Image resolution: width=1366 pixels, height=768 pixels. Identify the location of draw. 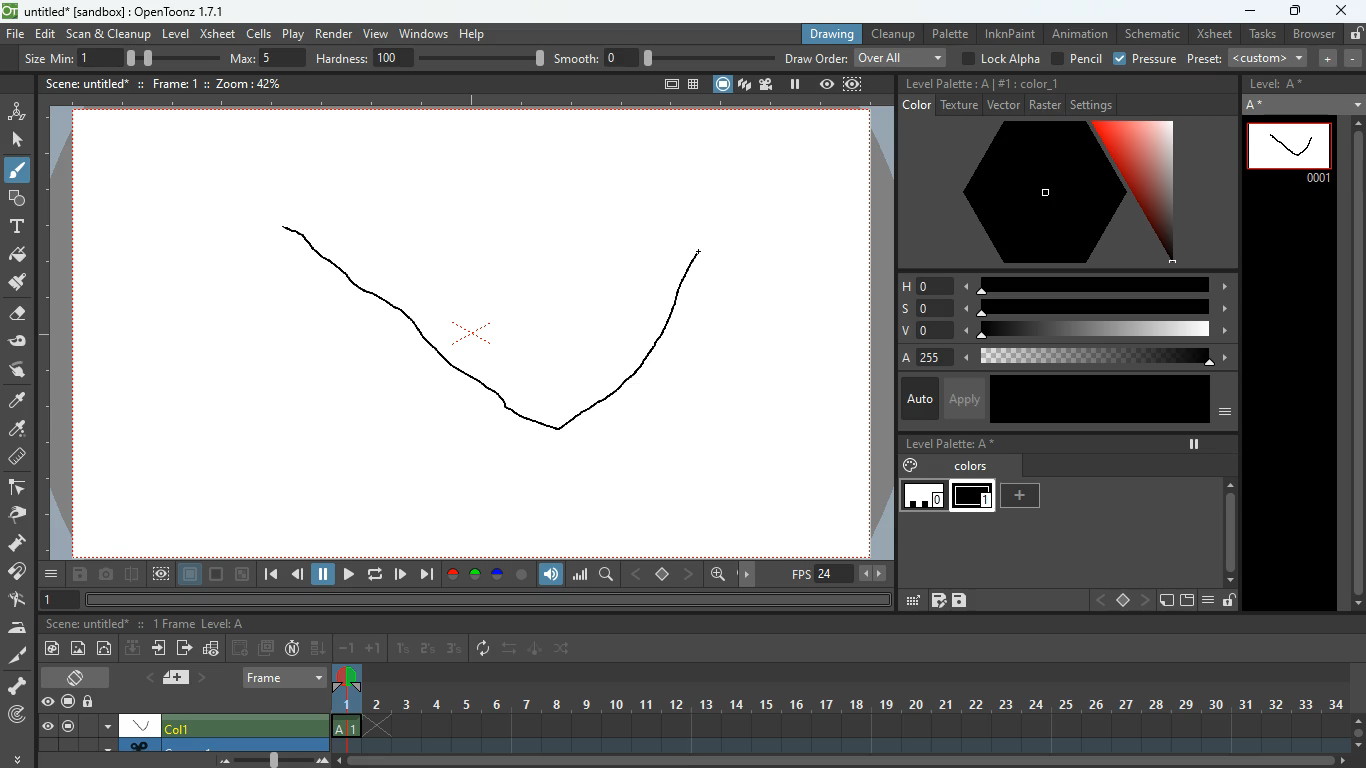
(499, 329).